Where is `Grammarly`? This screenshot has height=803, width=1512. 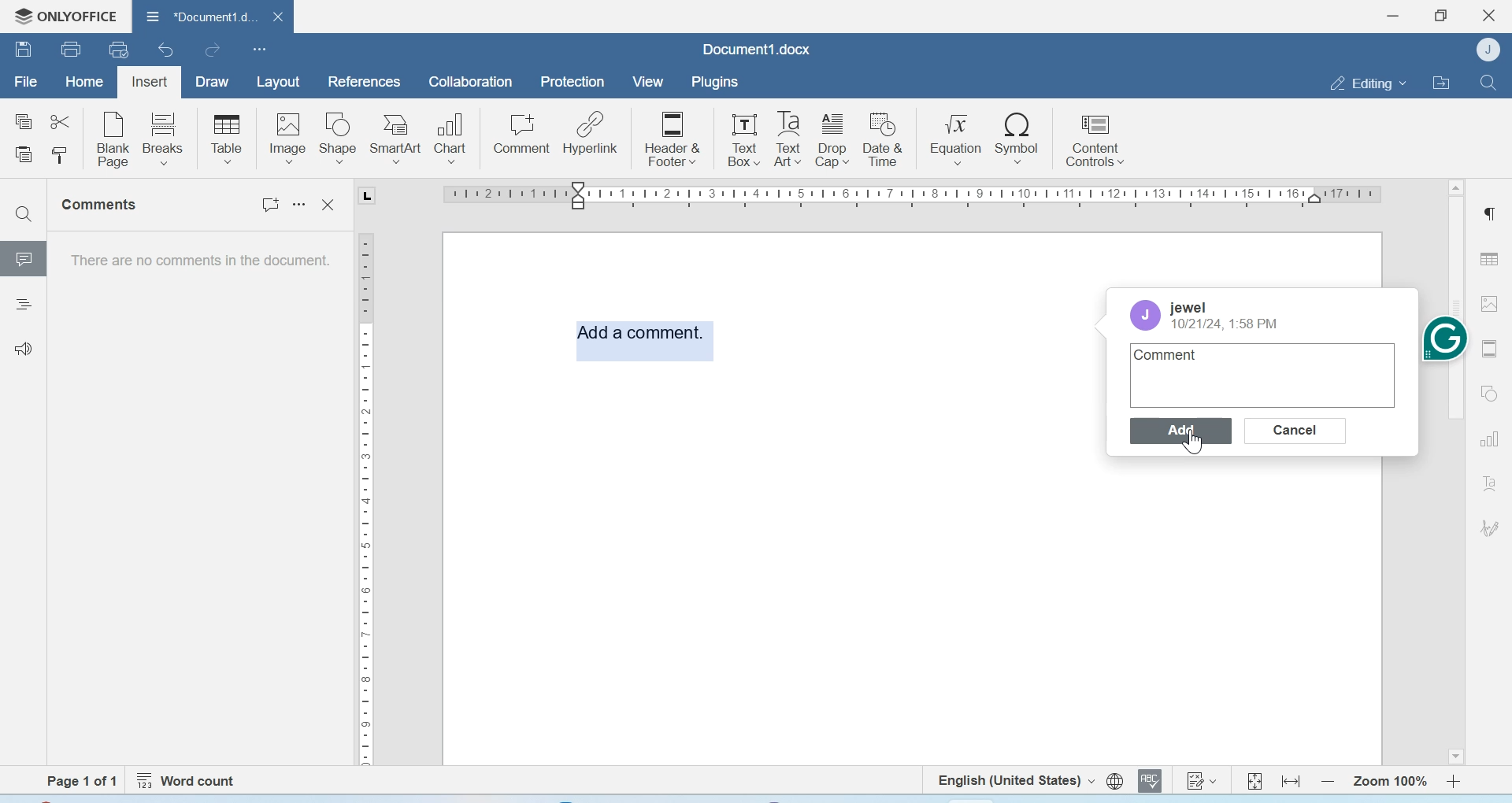 Grammarly is located at coordinates (1445, 337).